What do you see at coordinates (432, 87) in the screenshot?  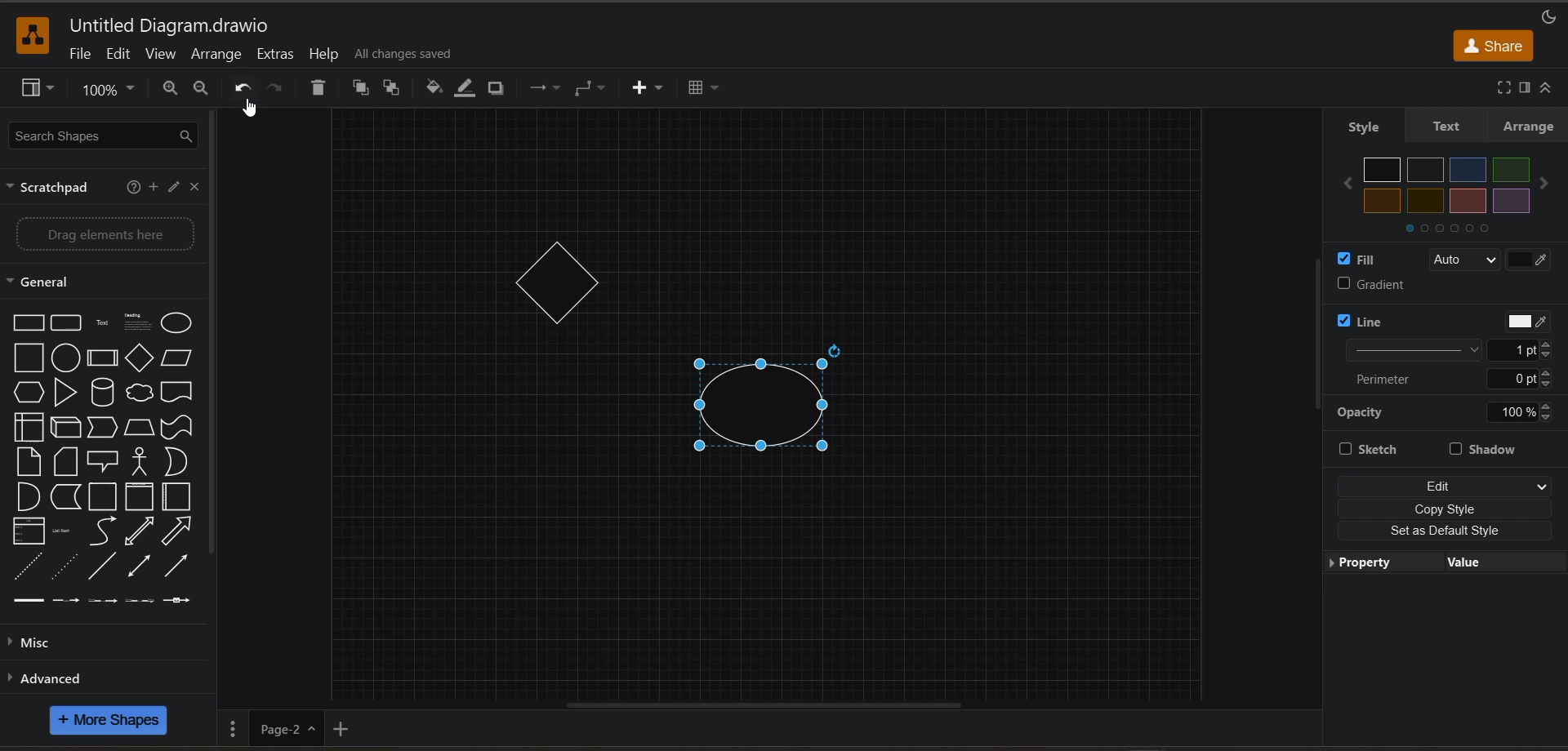 I see `fill color` at bounding box center [432, 87].